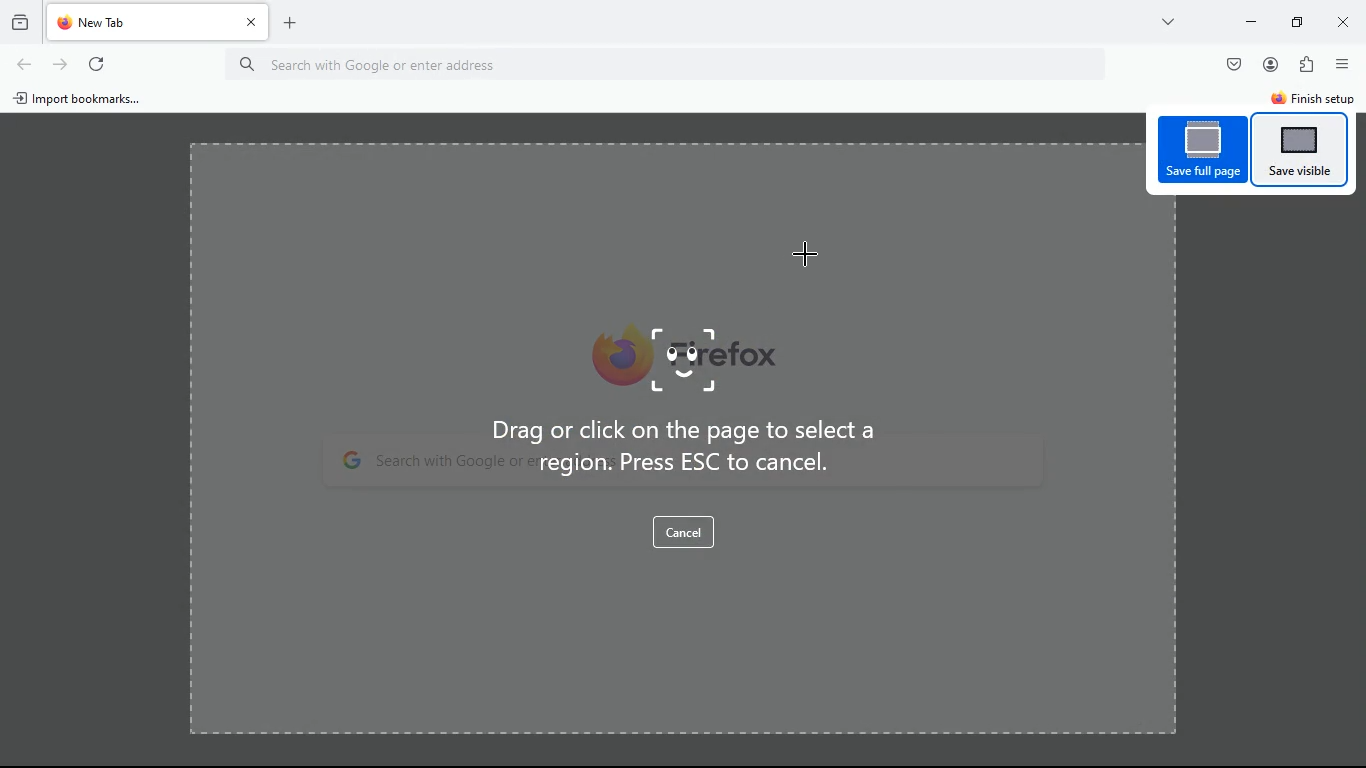  I want to click on close, so click(1340, 21).